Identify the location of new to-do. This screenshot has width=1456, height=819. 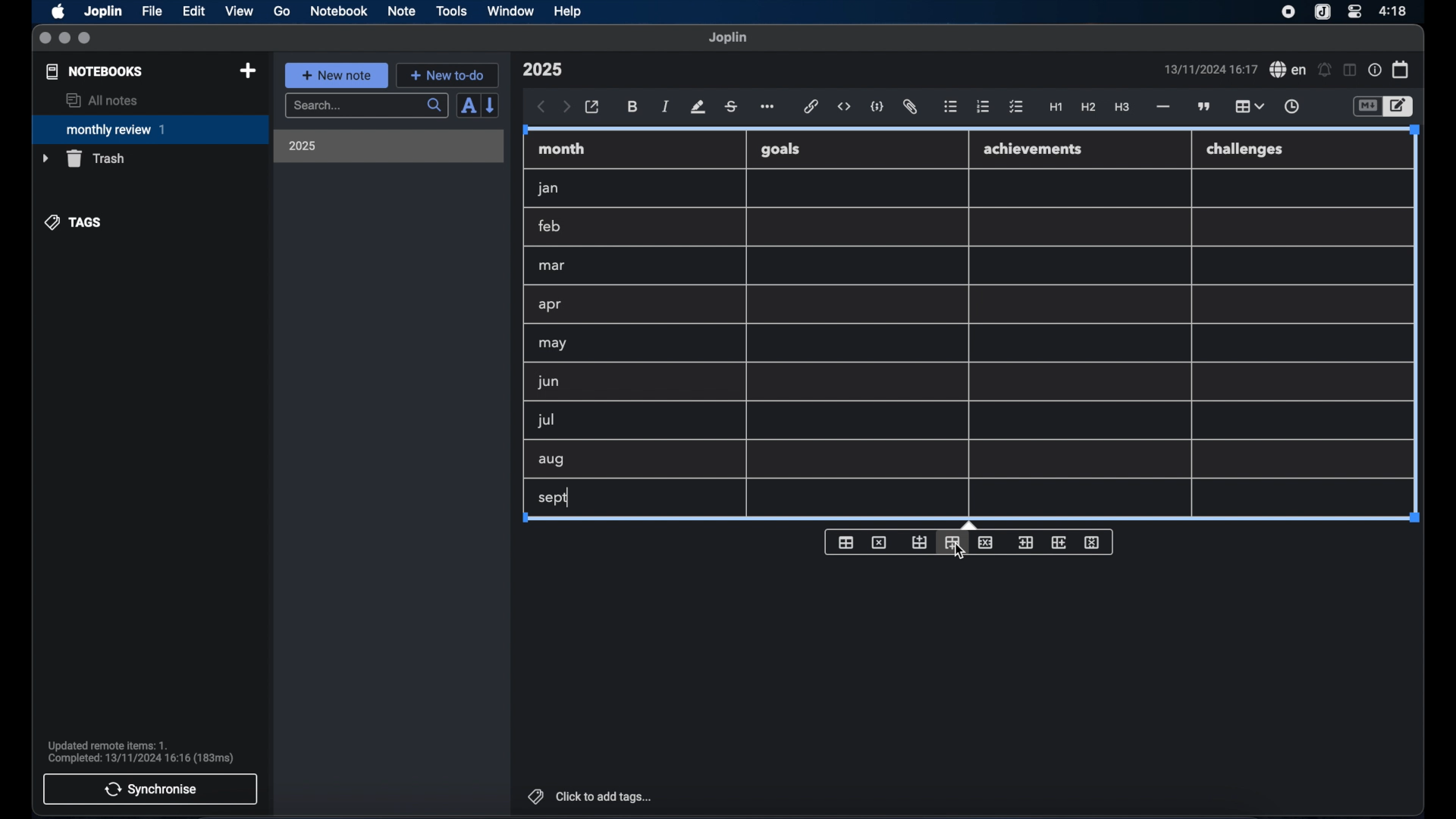
(448, 75).